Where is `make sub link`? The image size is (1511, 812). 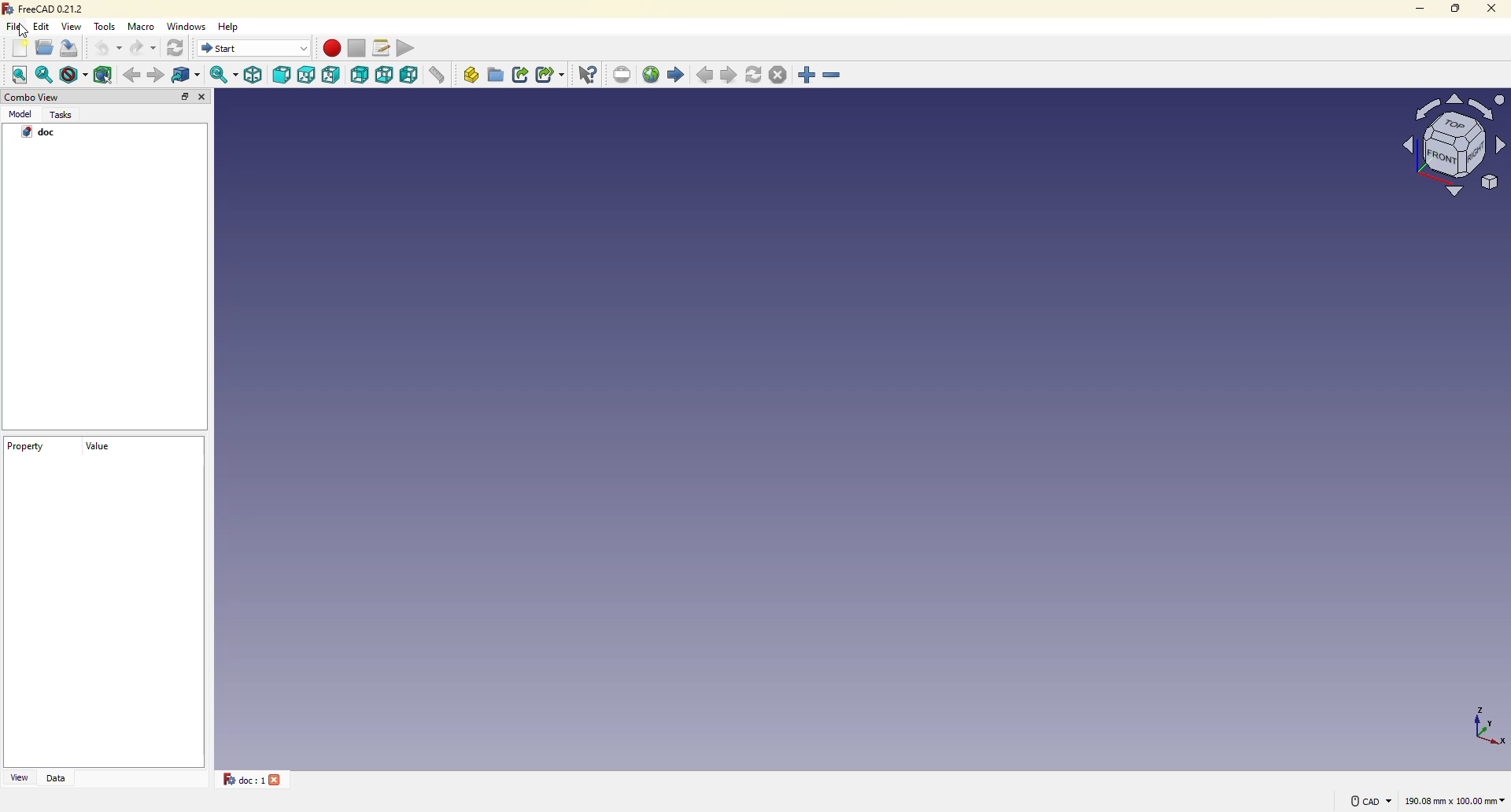 make sub link is located at coordinates (550, 76).